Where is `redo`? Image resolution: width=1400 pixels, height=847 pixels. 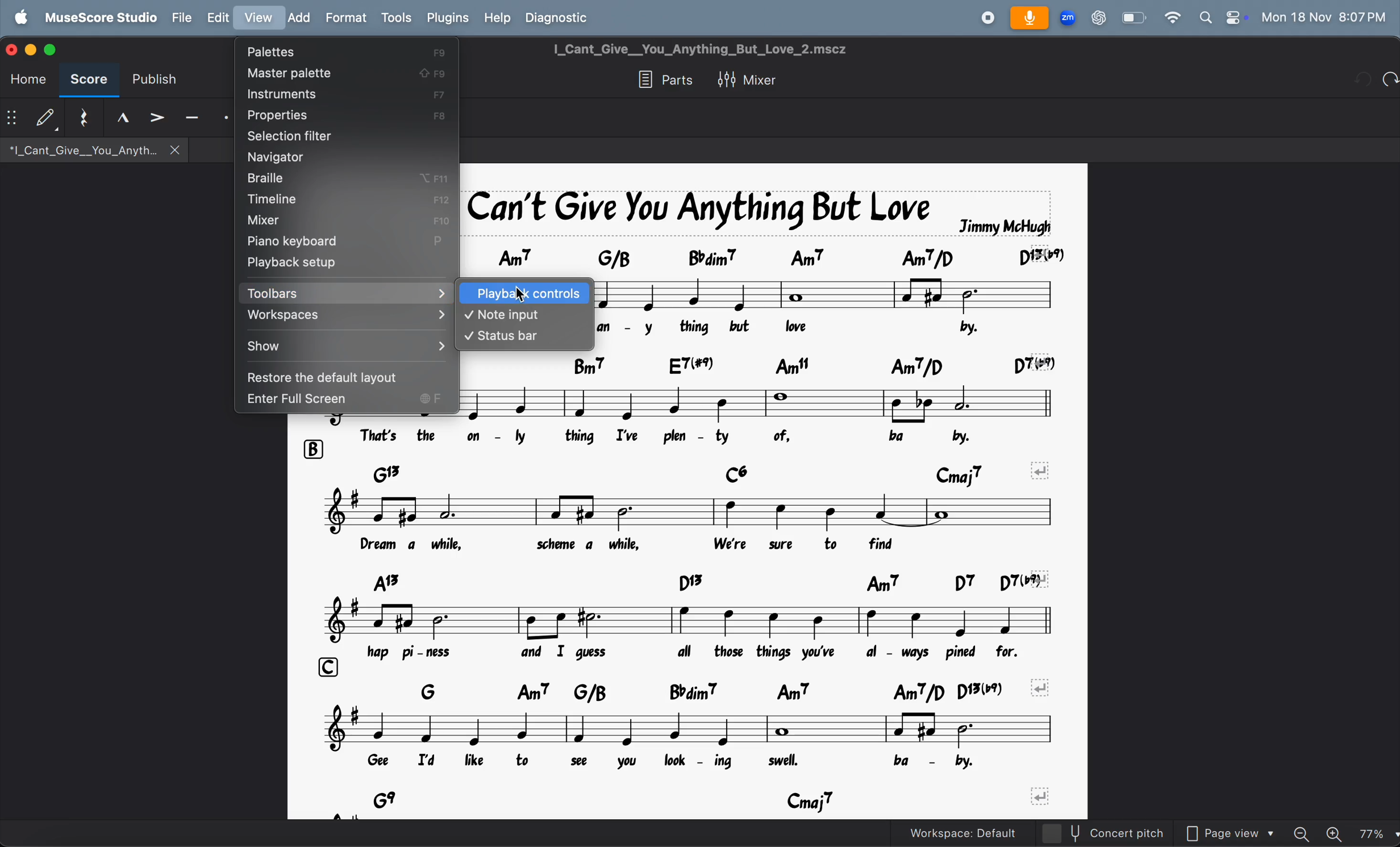
redo is located at coordinates (1364, 81).